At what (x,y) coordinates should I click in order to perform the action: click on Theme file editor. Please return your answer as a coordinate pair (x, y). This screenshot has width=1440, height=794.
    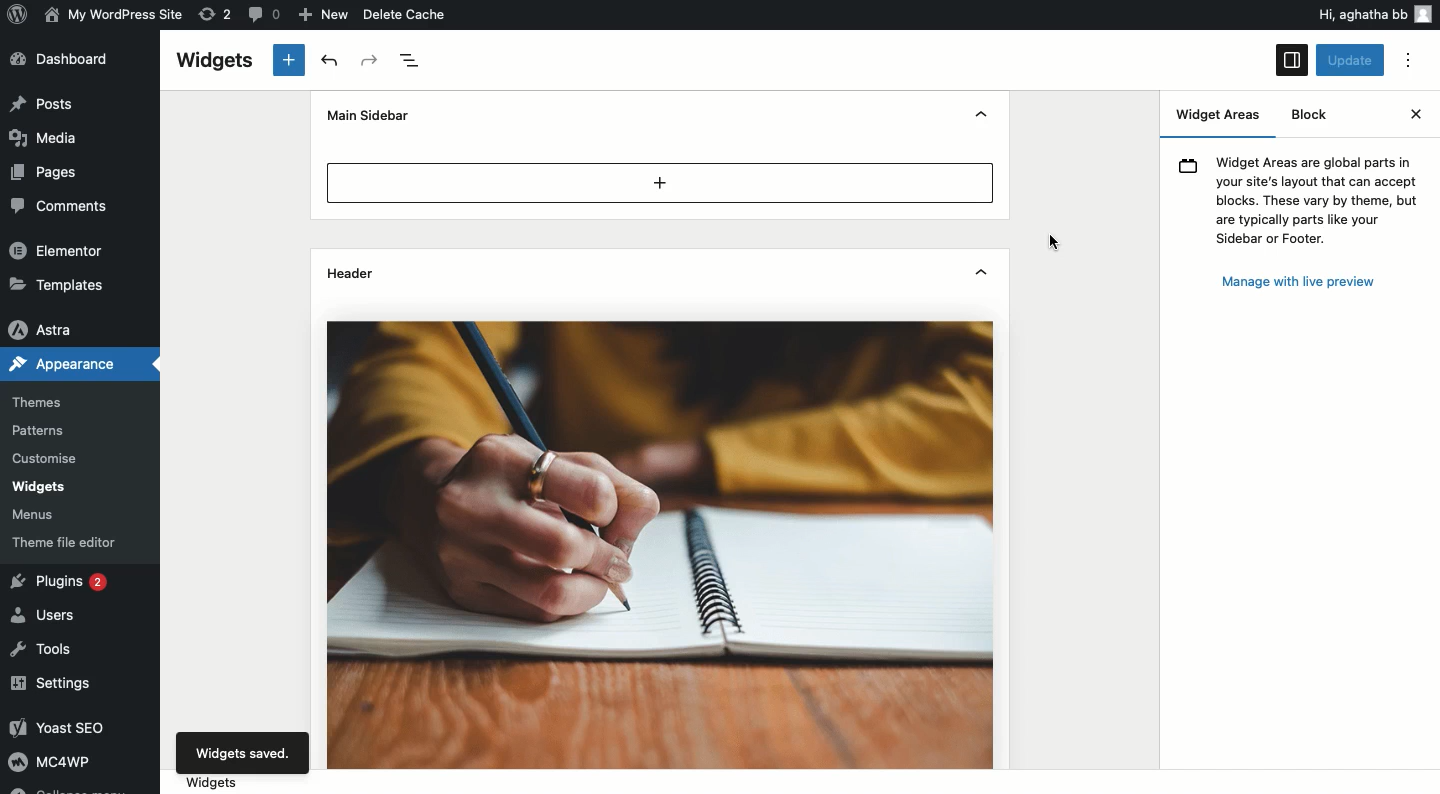
    Looking at the image, I should click on (69, 542).